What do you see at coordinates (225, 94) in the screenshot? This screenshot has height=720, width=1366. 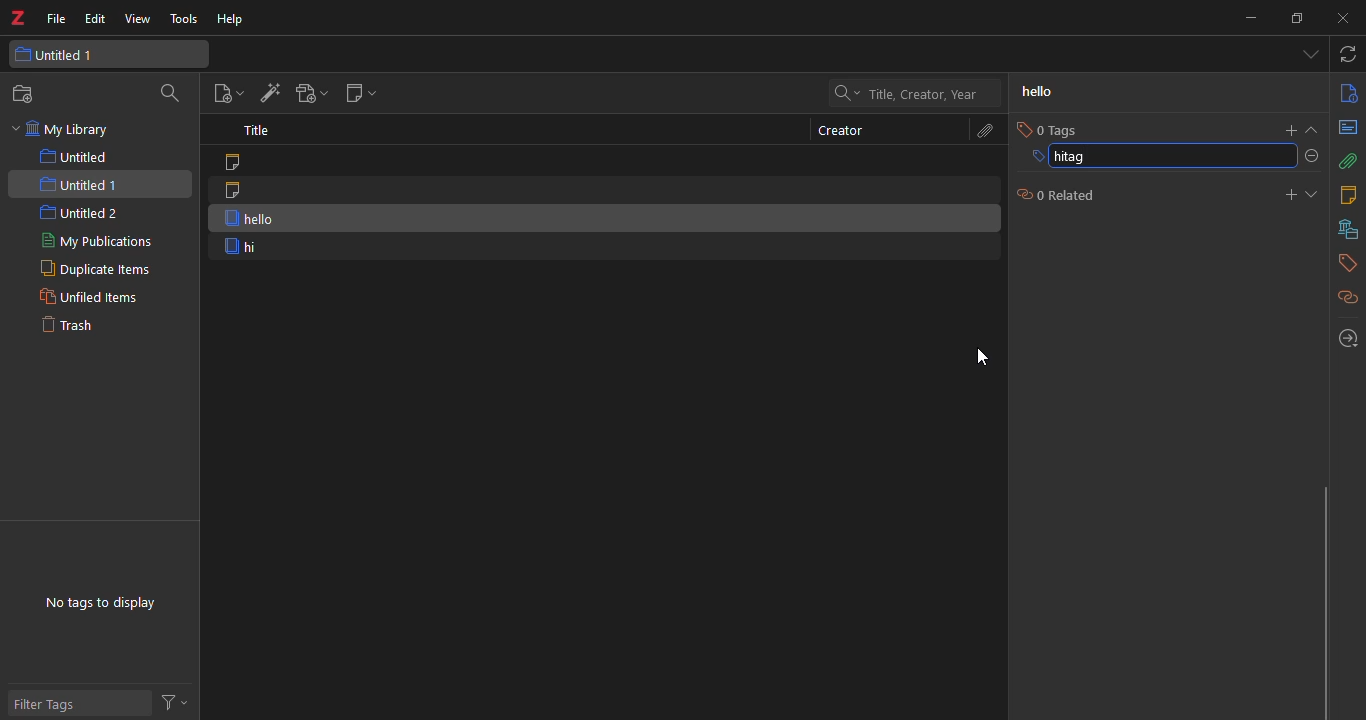 I see `new item` at bounding box center [225, 94].